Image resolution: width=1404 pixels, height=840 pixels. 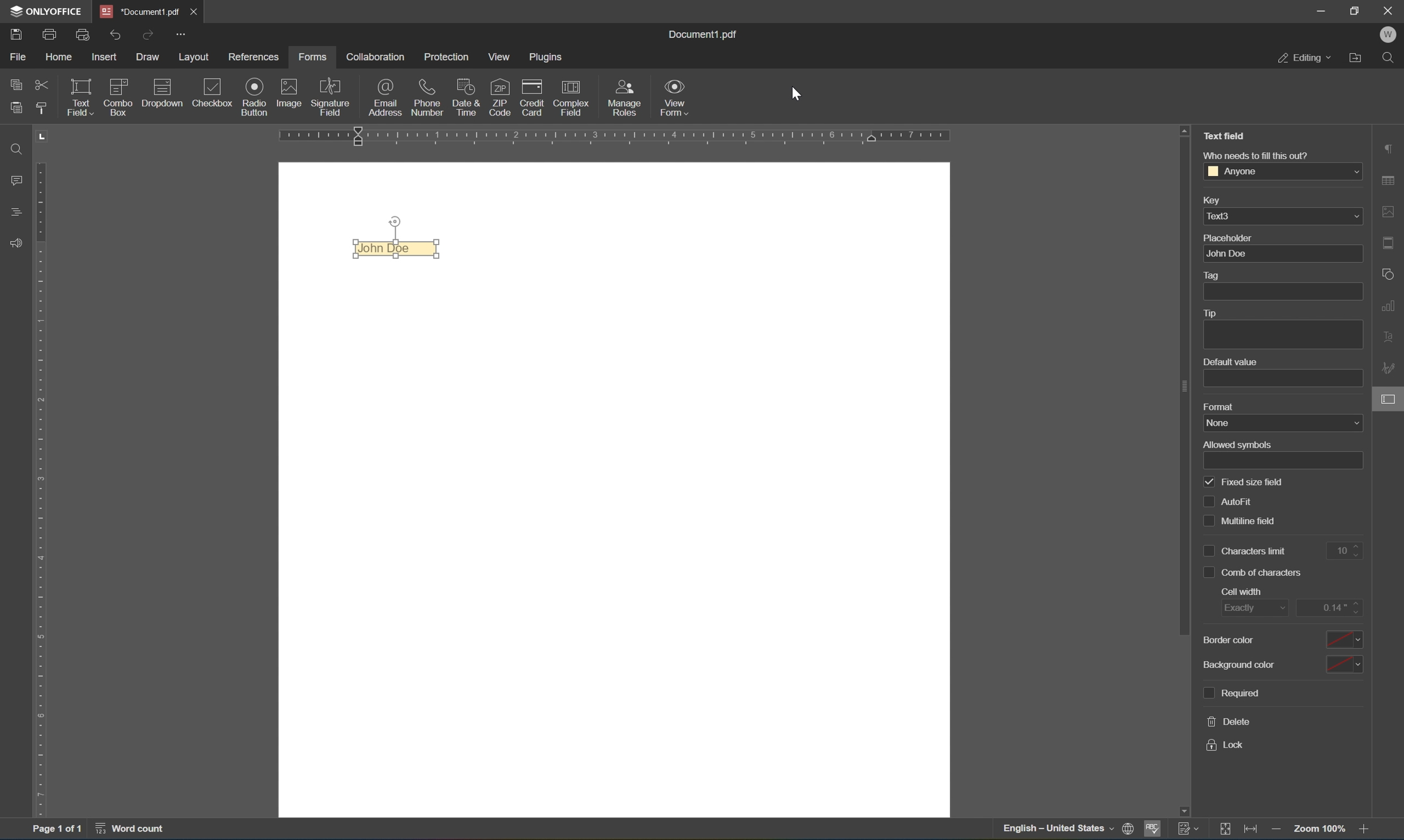 I want to click on cell width, so click(x=1242, y=590).